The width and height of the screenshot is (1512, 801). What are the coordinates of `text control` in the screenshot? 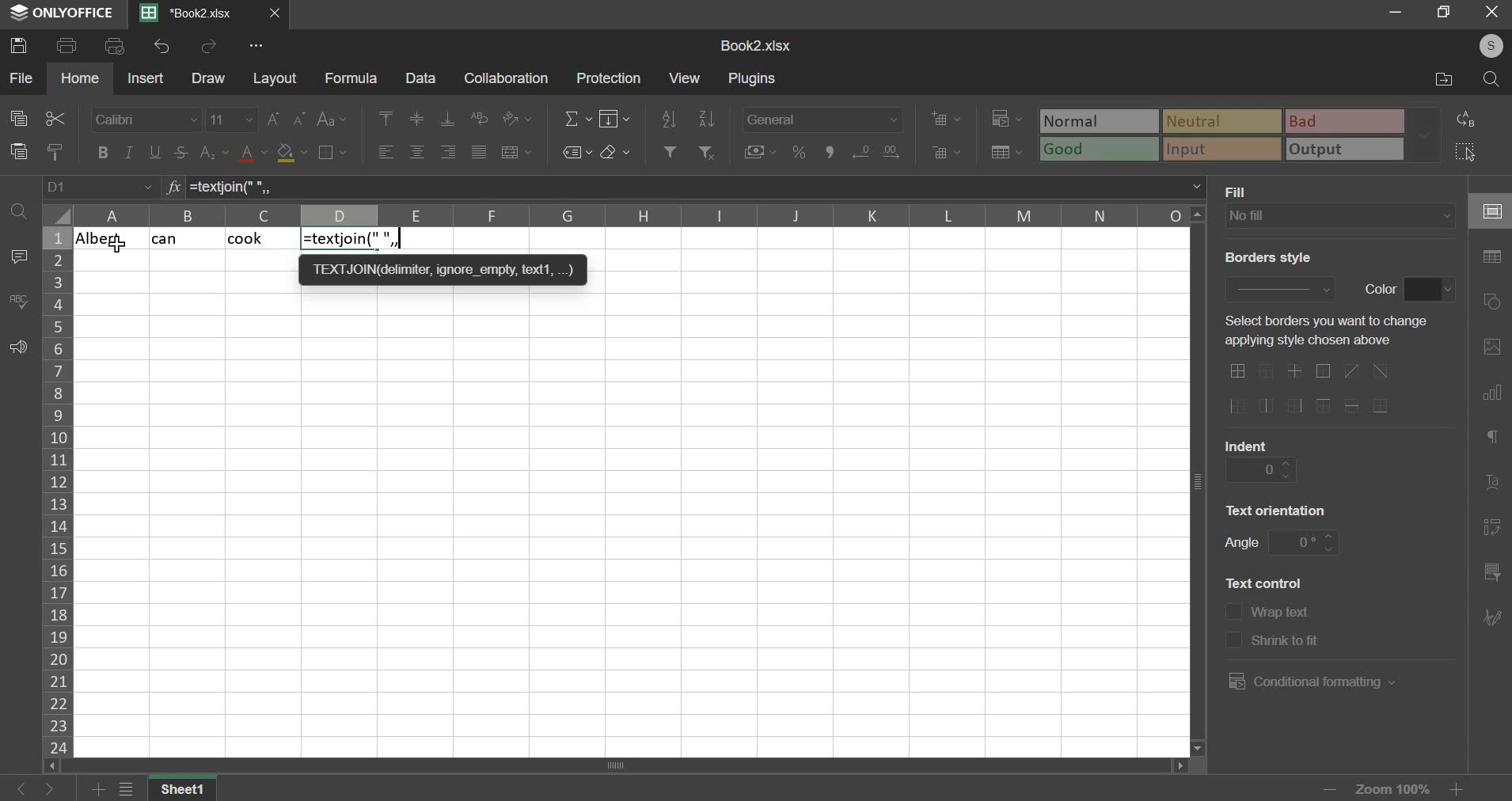 It's located at (1233, 626).